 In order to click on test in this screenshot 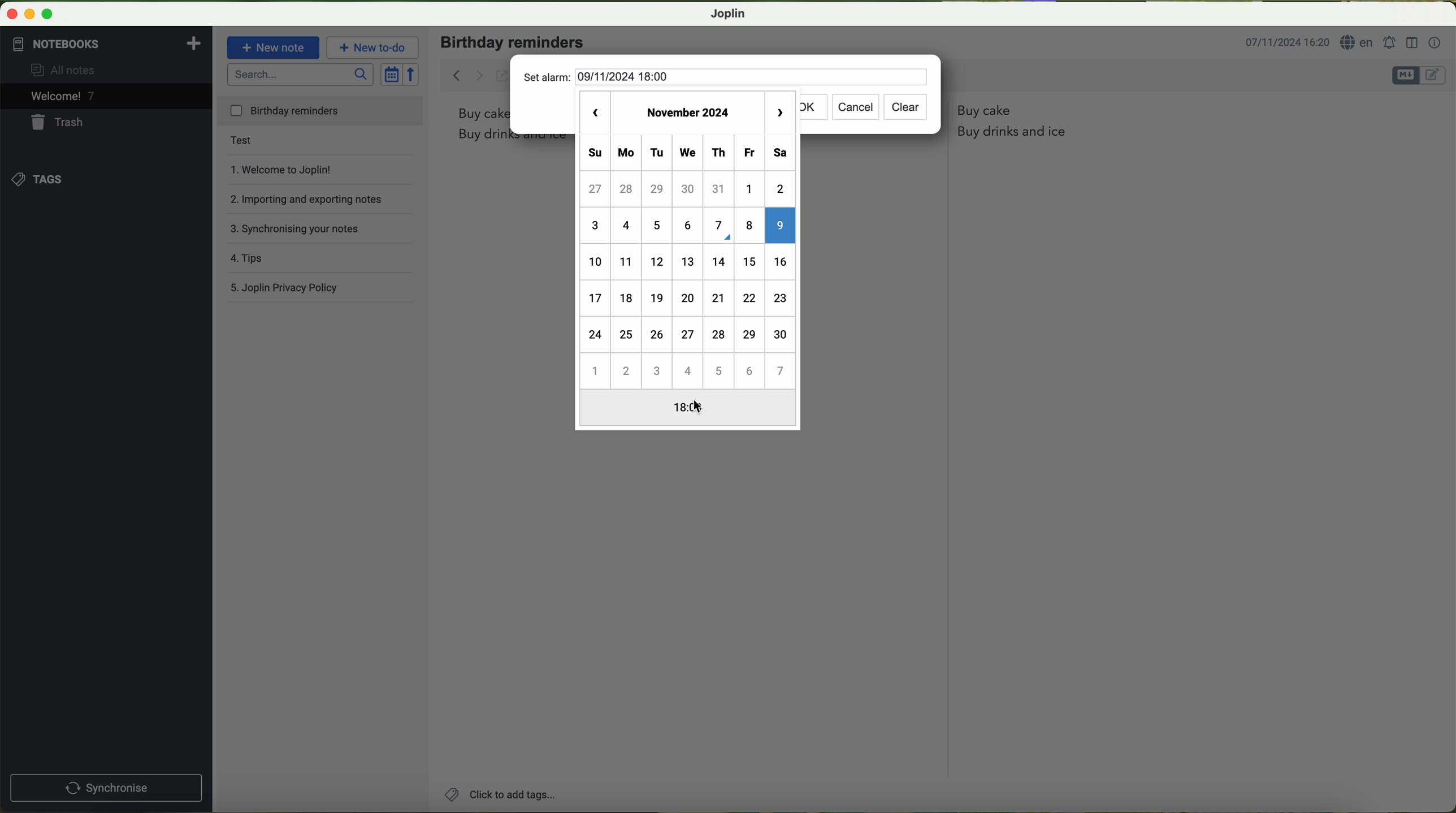, I will do `click(261, 142)`.